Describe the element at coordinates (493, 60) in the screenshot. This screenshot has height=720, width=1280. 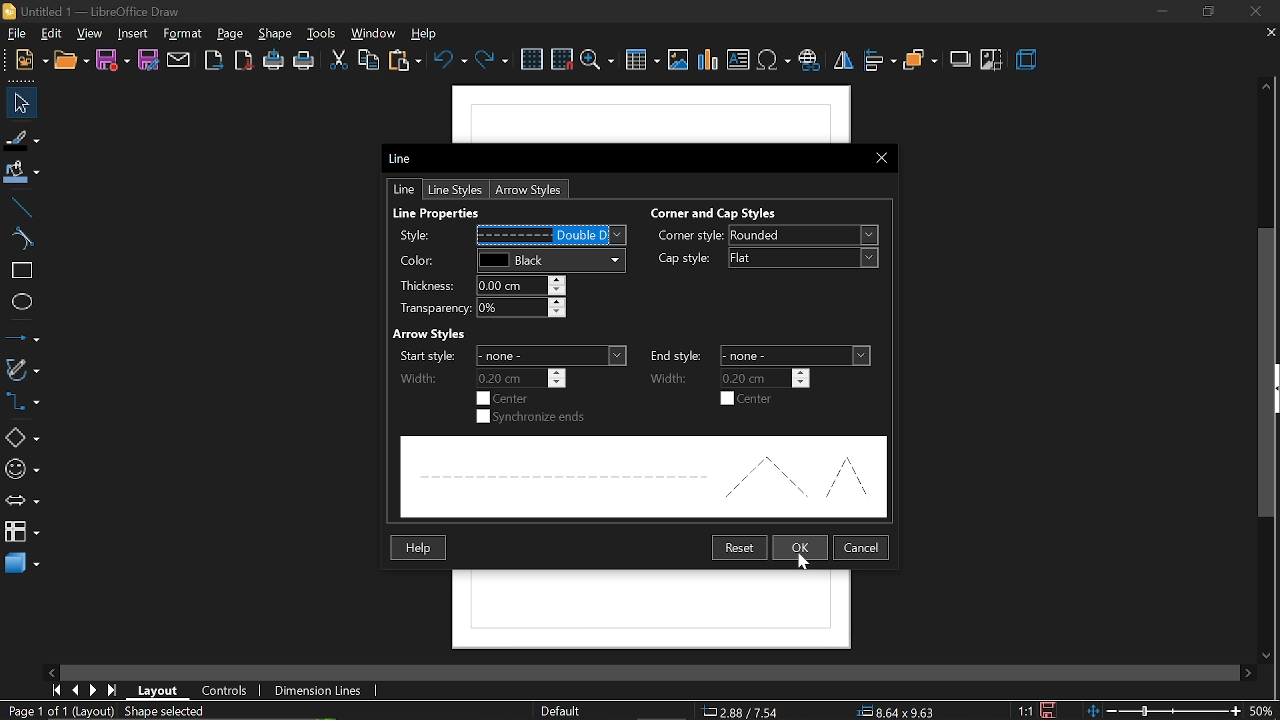
I see `redo` at that location.